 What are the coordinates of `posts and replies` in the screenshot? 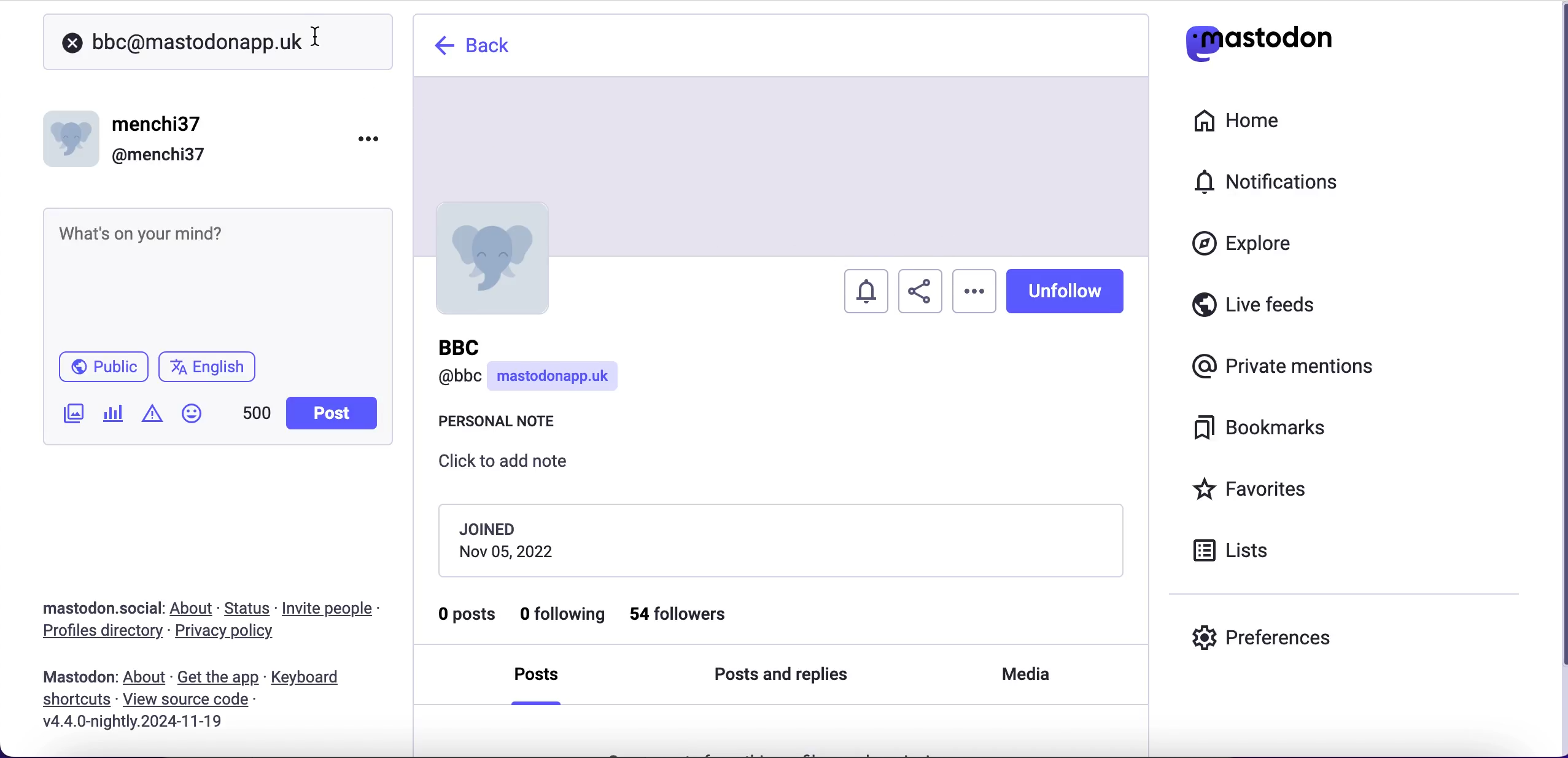 It's located at (788, 673).